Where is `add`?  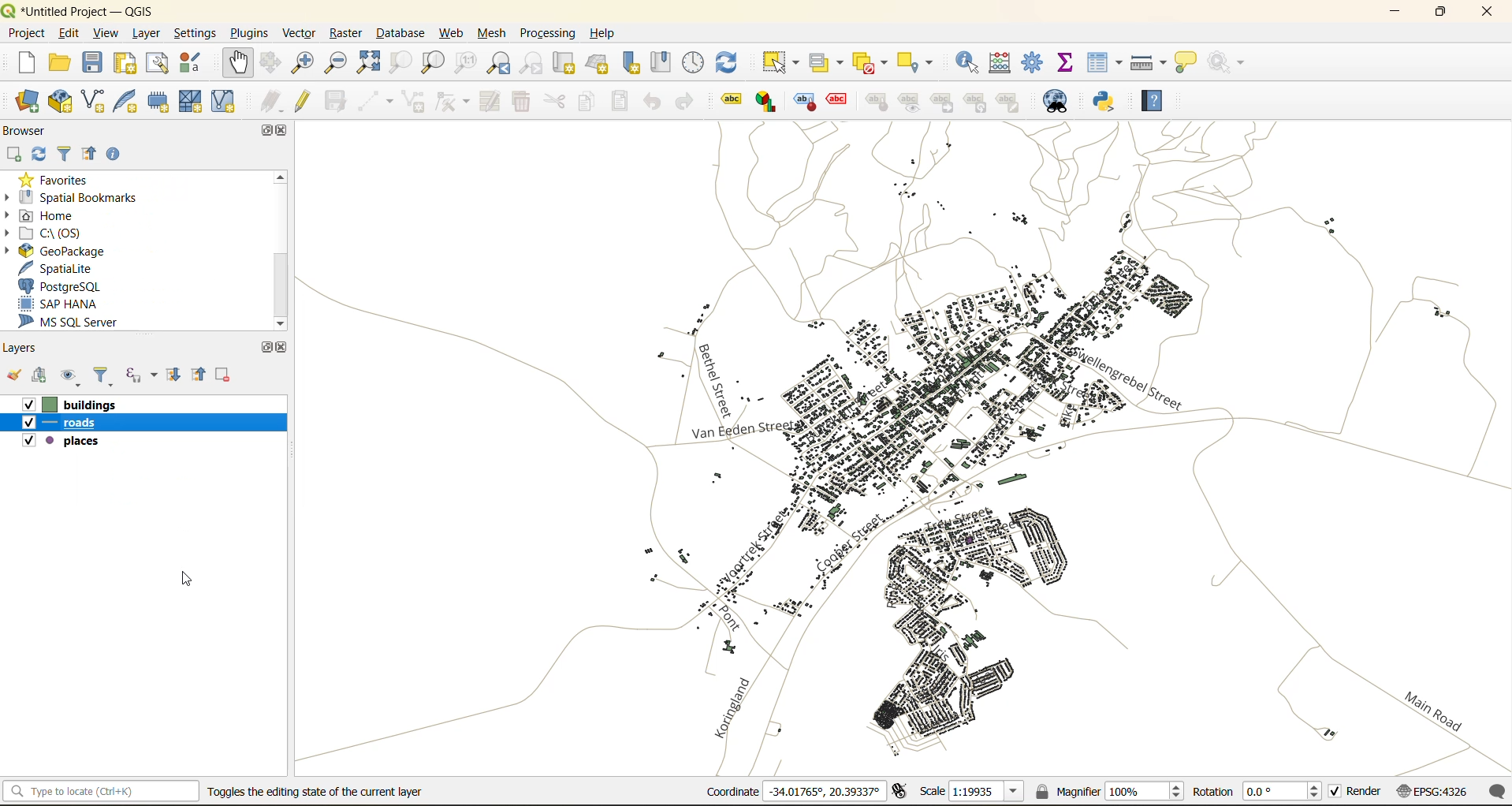 add is located at coordinates (40, 376).